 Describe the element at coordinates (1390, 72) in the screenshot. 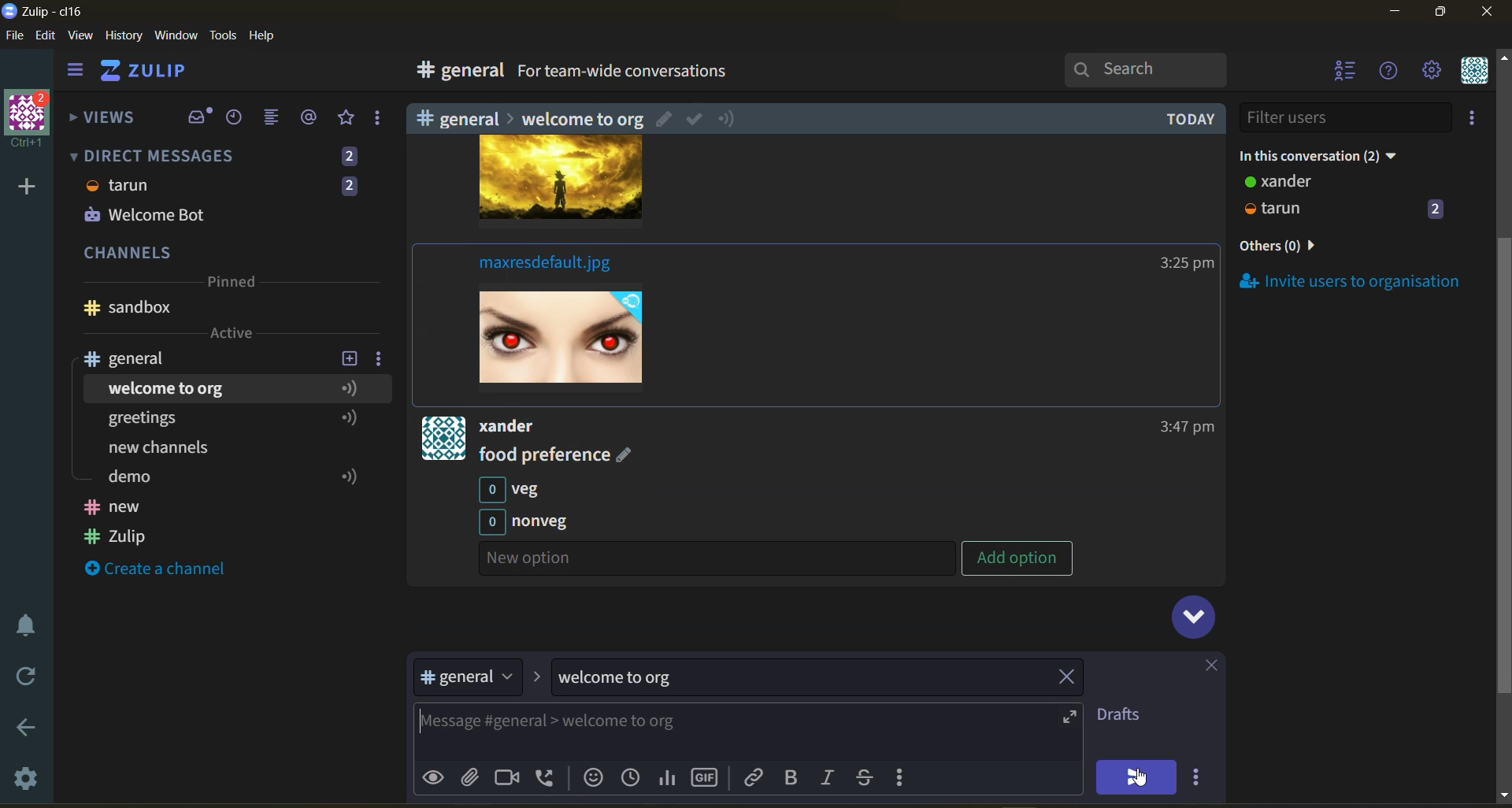

I see `help menu` at that location.